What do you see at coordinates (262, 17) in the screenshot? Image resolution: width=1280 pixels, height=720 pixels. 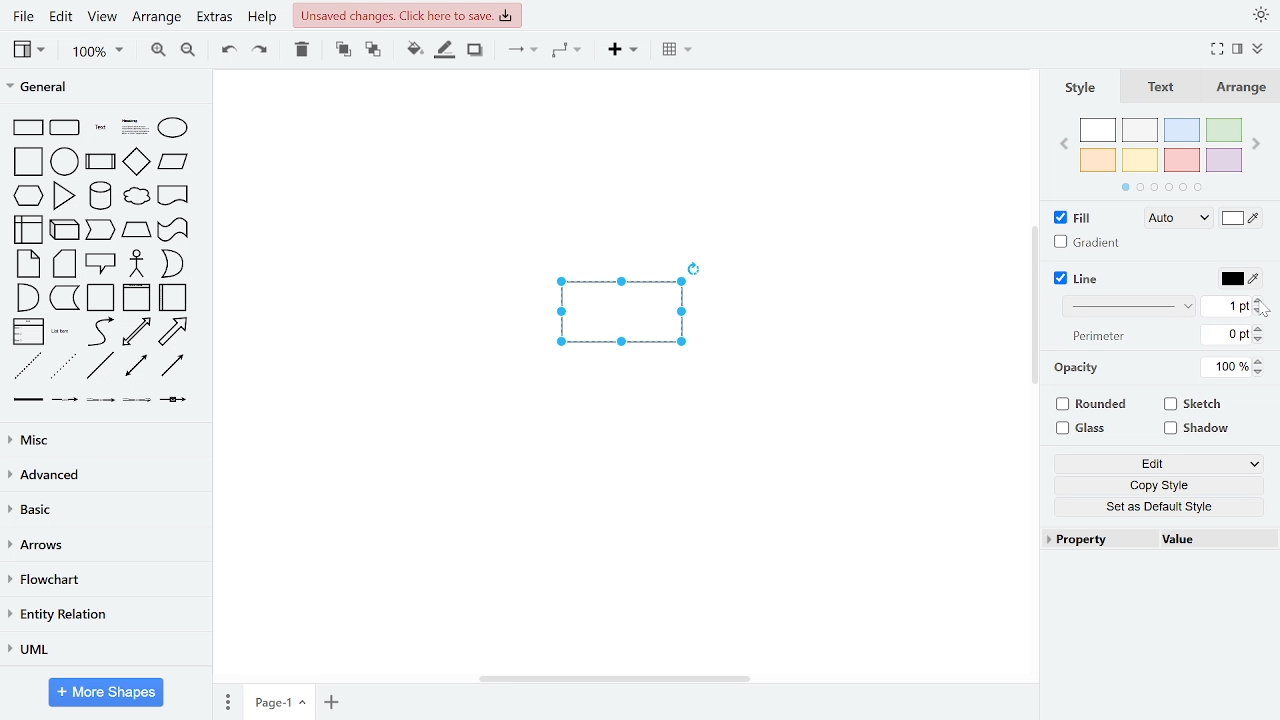 I see `help` at bounding box center [262, 17].